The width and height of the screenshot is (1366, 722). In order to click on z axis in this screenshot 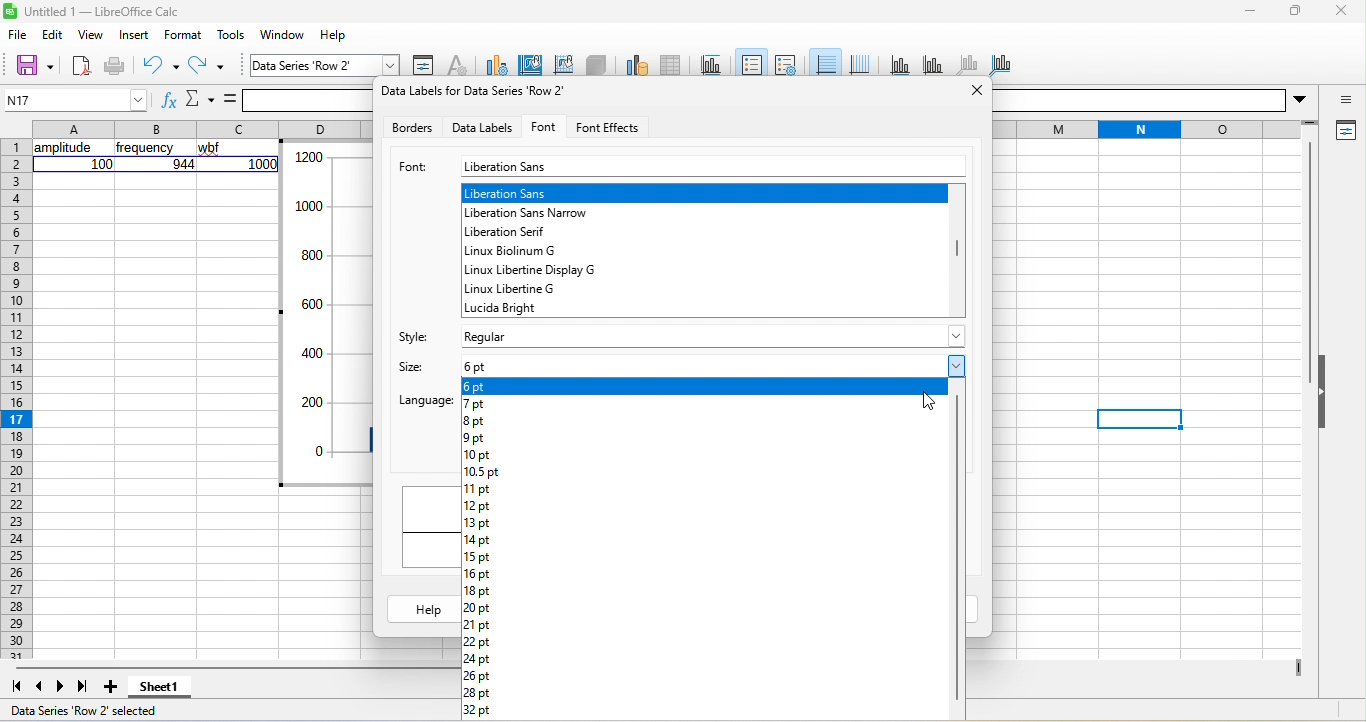, I will do `click(971, 63)`.